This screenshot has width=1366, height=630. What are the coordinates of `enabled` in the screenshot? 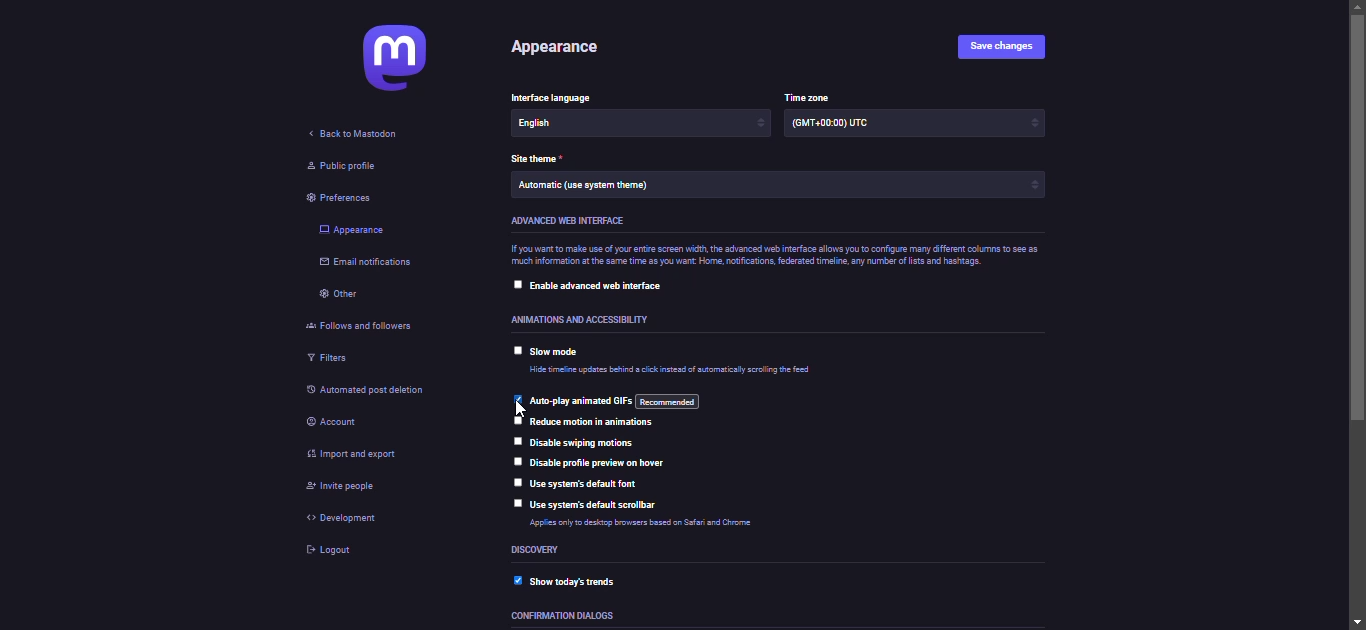 It's located at (519, 399).